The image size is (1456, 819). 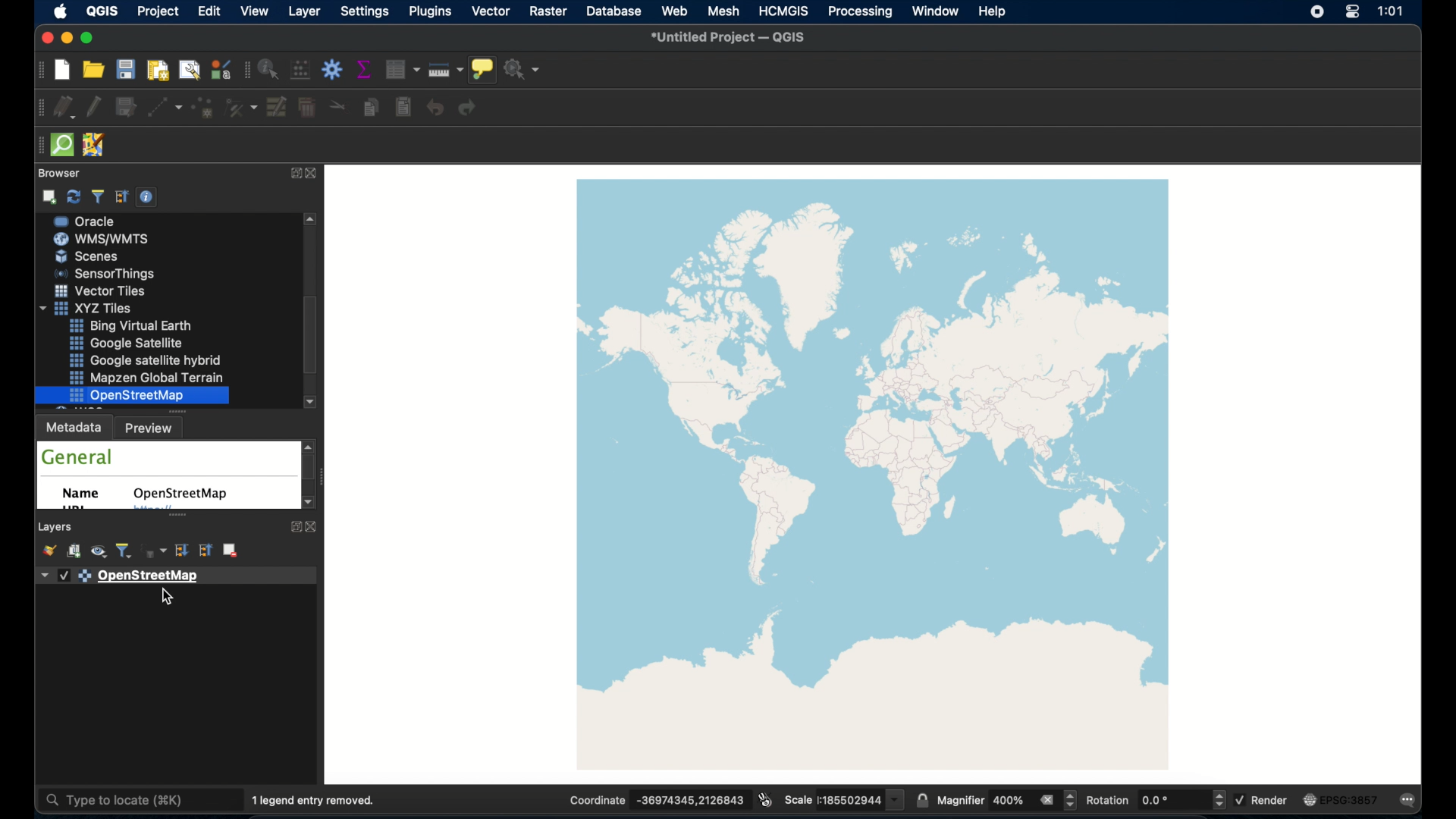 I want to click on mesh, so click(x=724, y=12).